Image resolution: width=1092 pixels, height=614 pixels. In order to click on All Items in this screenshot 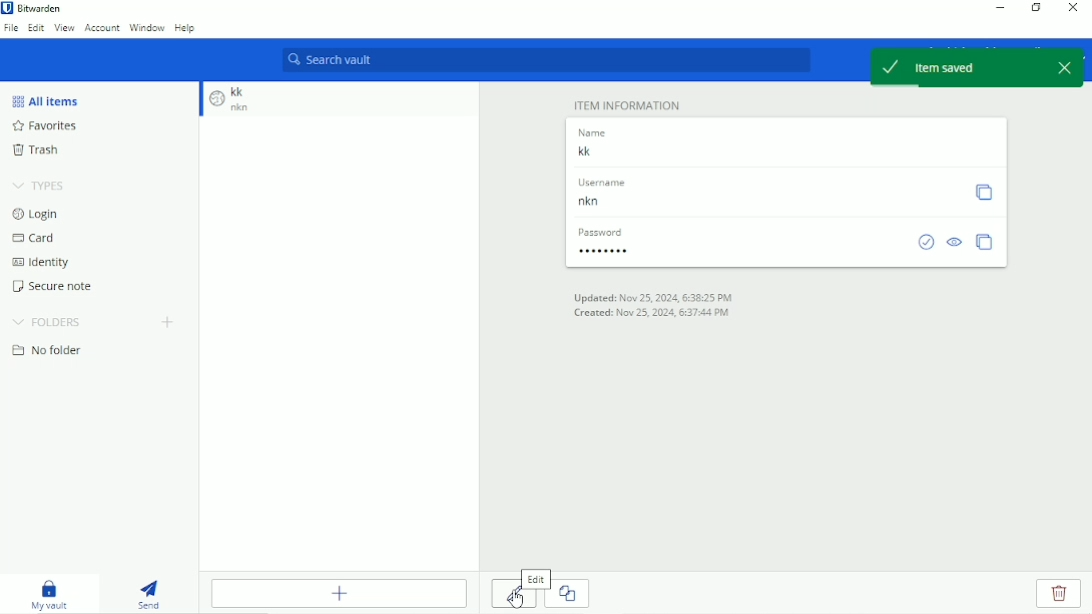, I will do `click(44, 101)`.